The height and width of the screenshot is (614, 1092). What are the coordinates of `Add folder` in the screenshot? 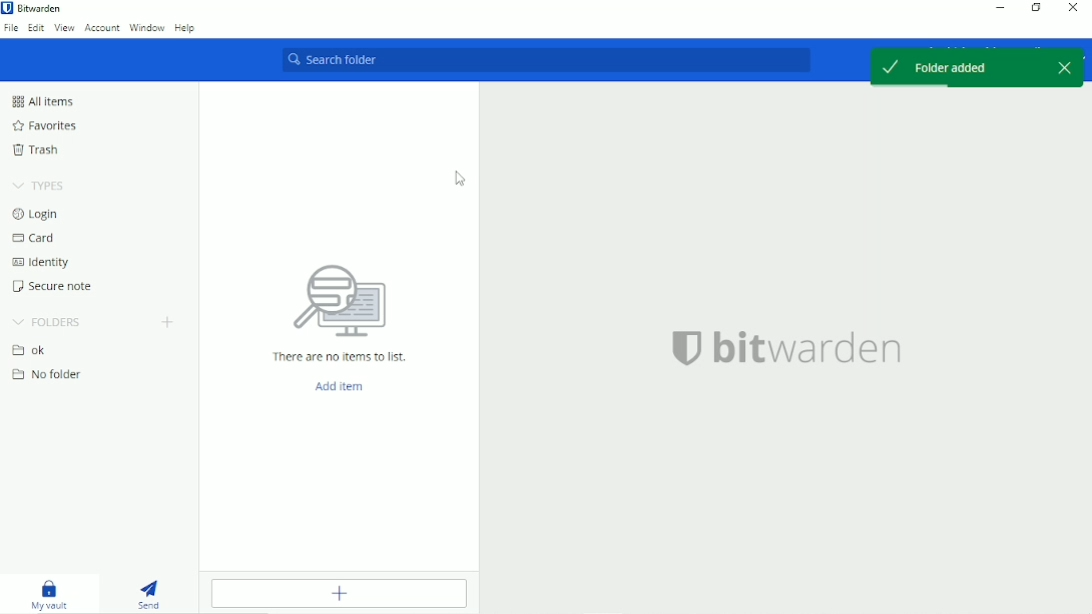 It's located at (168, 322).